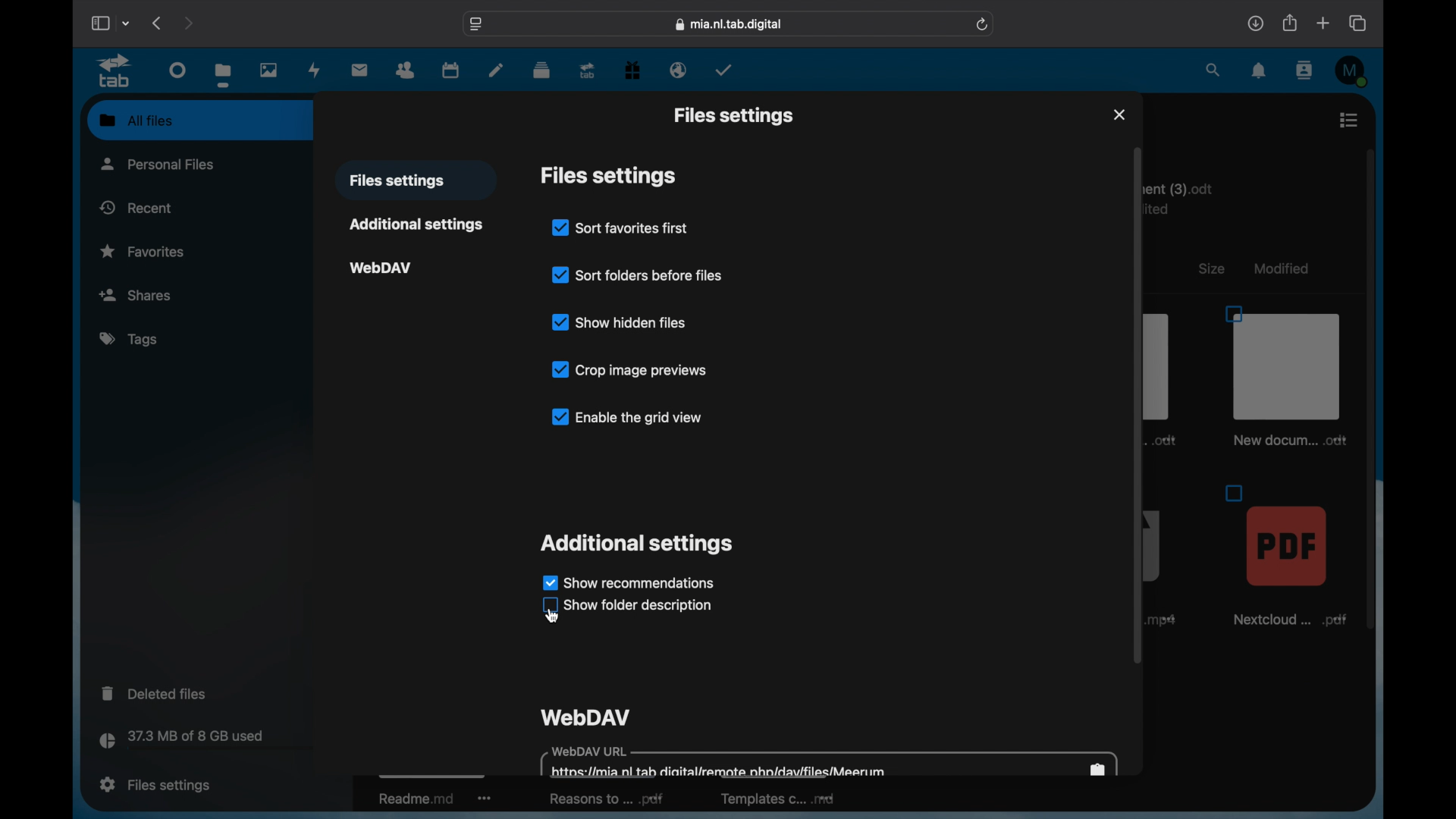  What do you see at coordinates (188, 24) in the screenshot?
I see `next` at bounding box center [188, 24].